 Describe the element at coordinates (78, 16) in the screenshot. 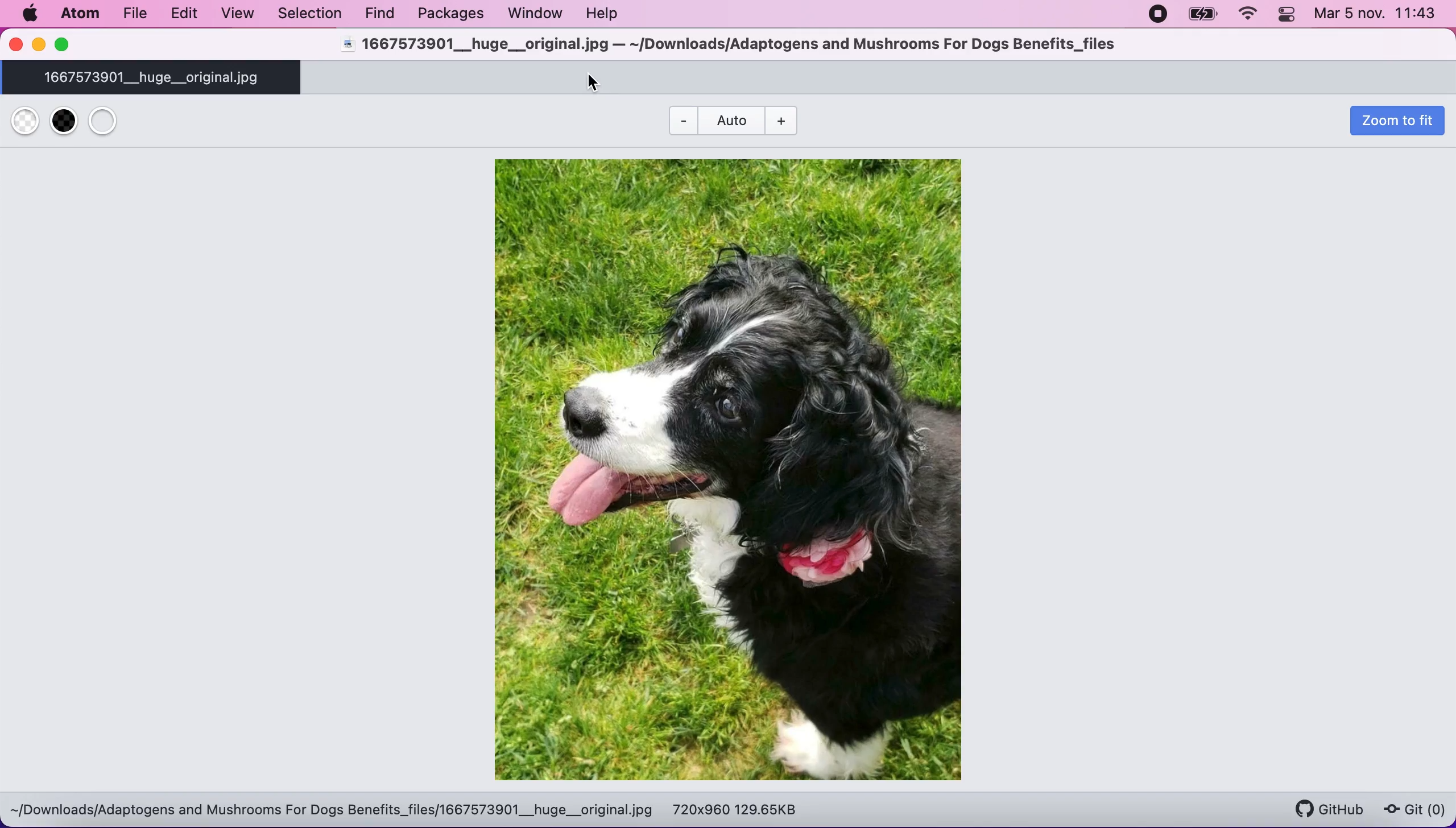

I see `atom` at that location.